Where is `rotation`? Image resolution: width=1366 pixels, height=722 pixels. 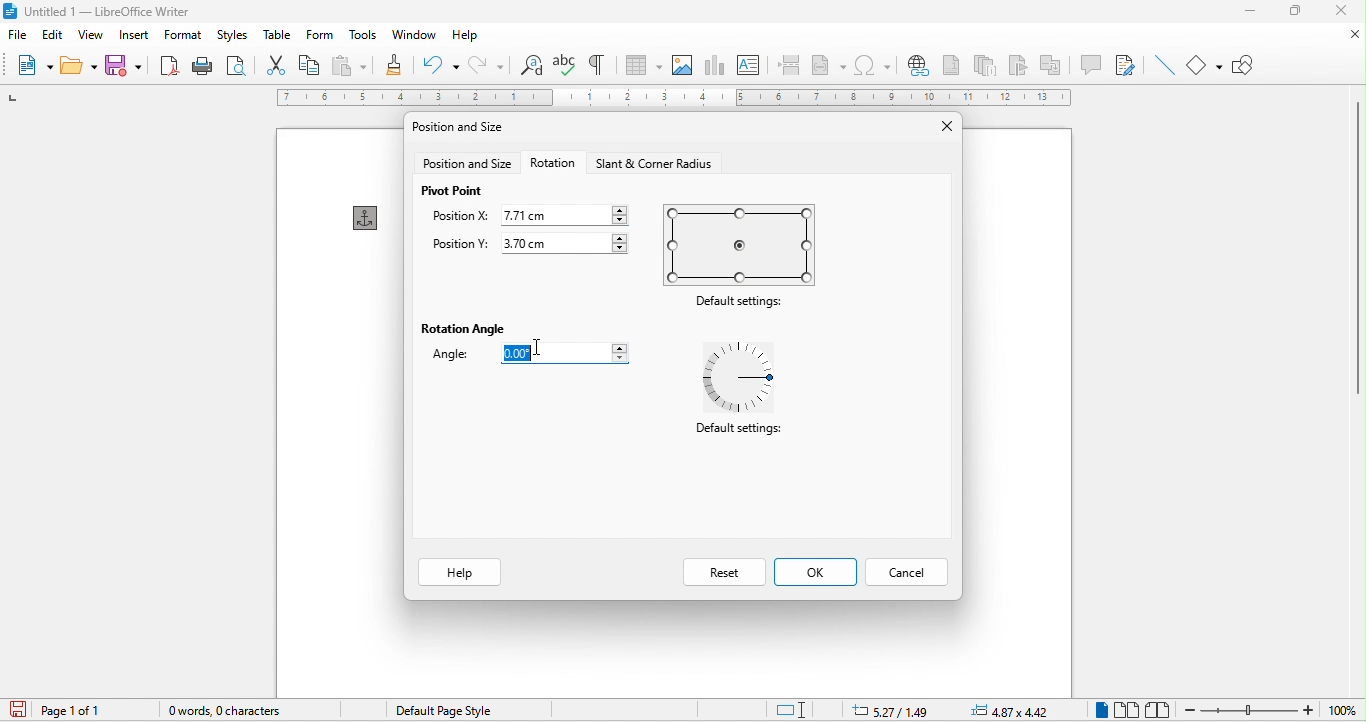 rotation is located at coordinates (551, 163).